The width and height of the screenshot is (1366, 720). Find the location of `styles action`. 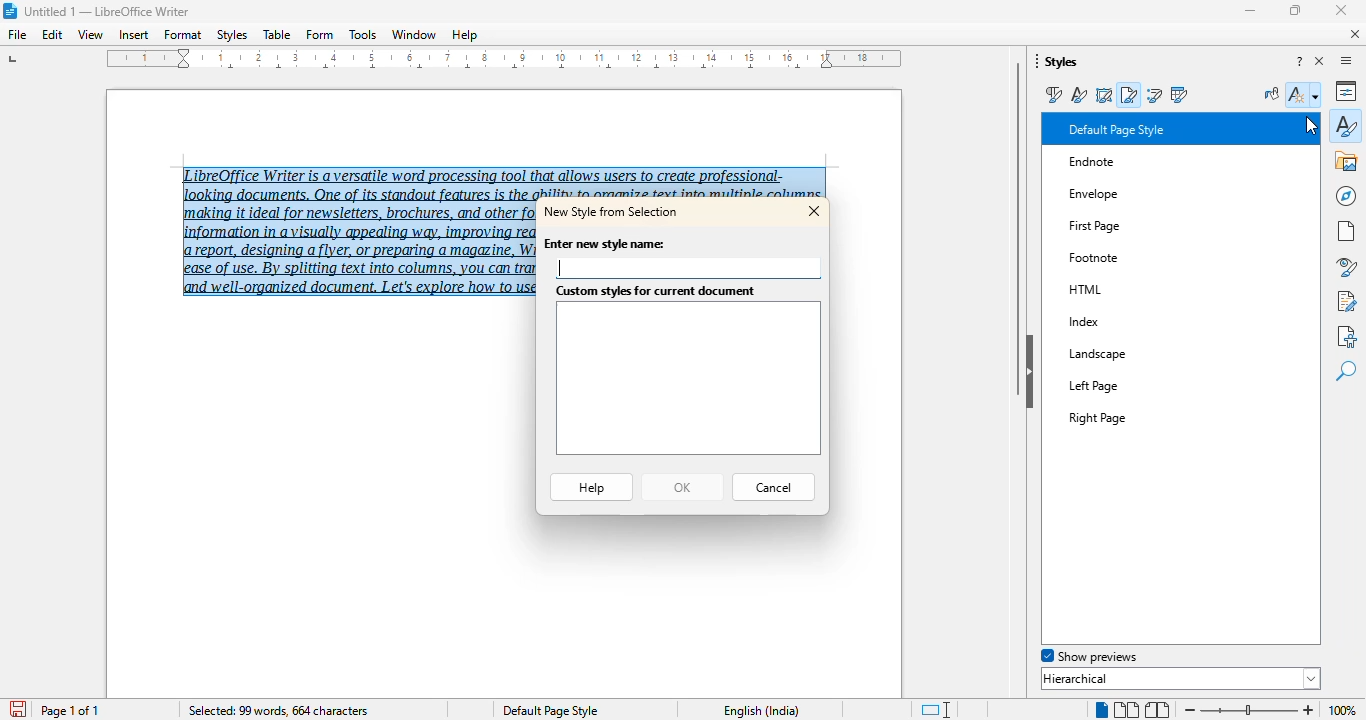

styles action is located at coordinates (1305, 94).